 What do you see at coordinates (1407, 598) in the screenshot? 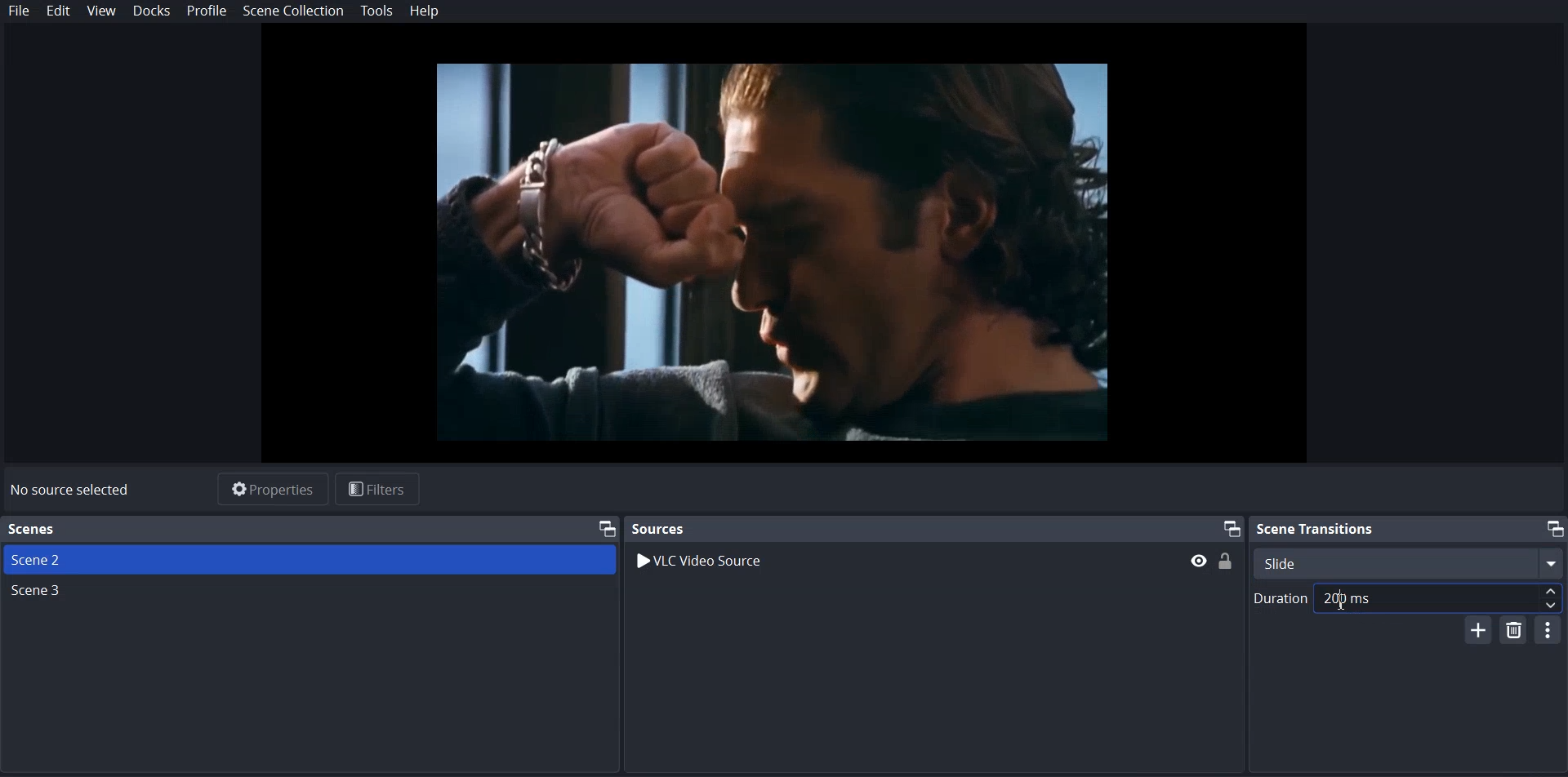
I see `Duration` at bounding box center [1407, 598].